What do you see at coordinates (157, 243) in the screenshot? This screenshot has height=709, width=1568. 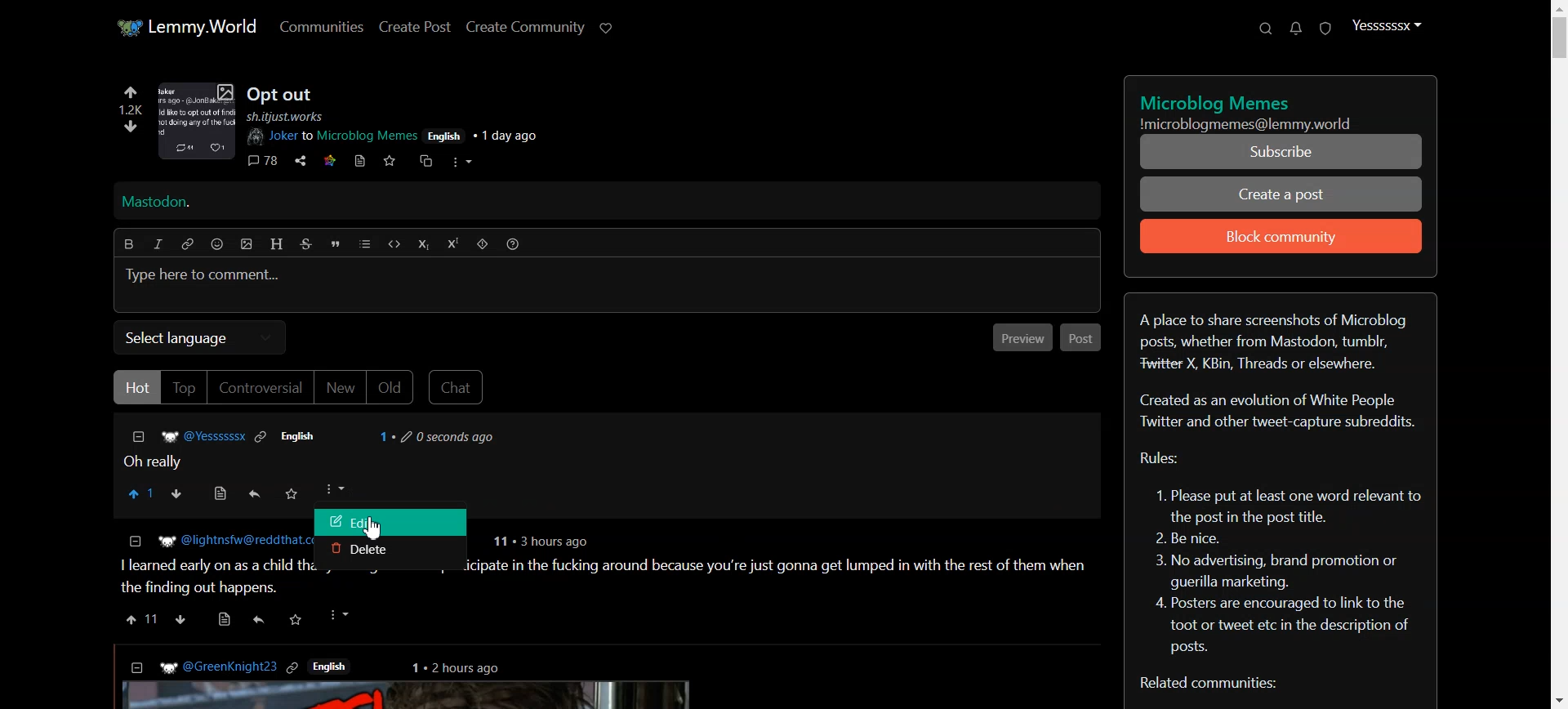 I see `Italic` at bounding box center [157, 243].